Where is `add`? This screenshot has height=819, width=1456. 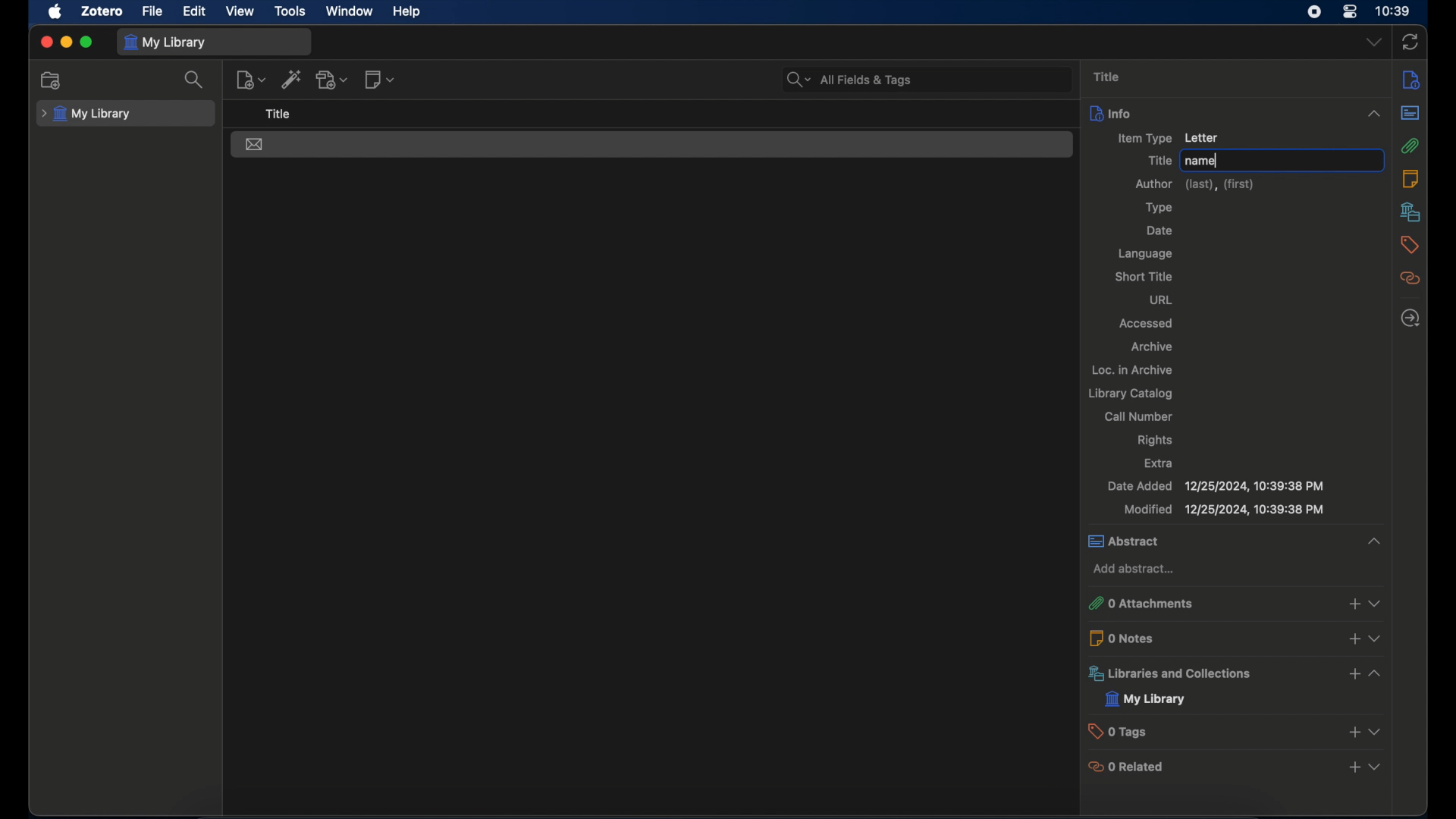 add is located at coordinates (1351, 639).